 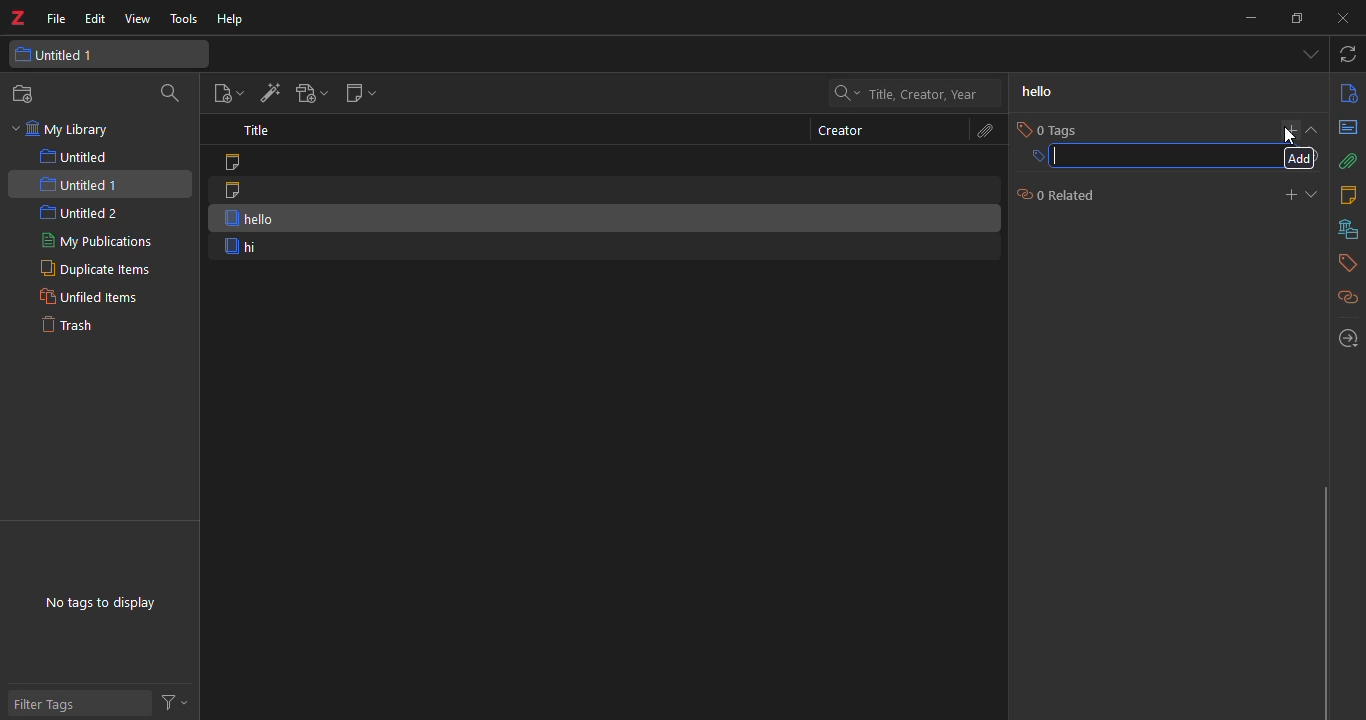 What do you see at coordinates (241, 163) in the screenshot?
I see `note` at bounding box center [241, 163].